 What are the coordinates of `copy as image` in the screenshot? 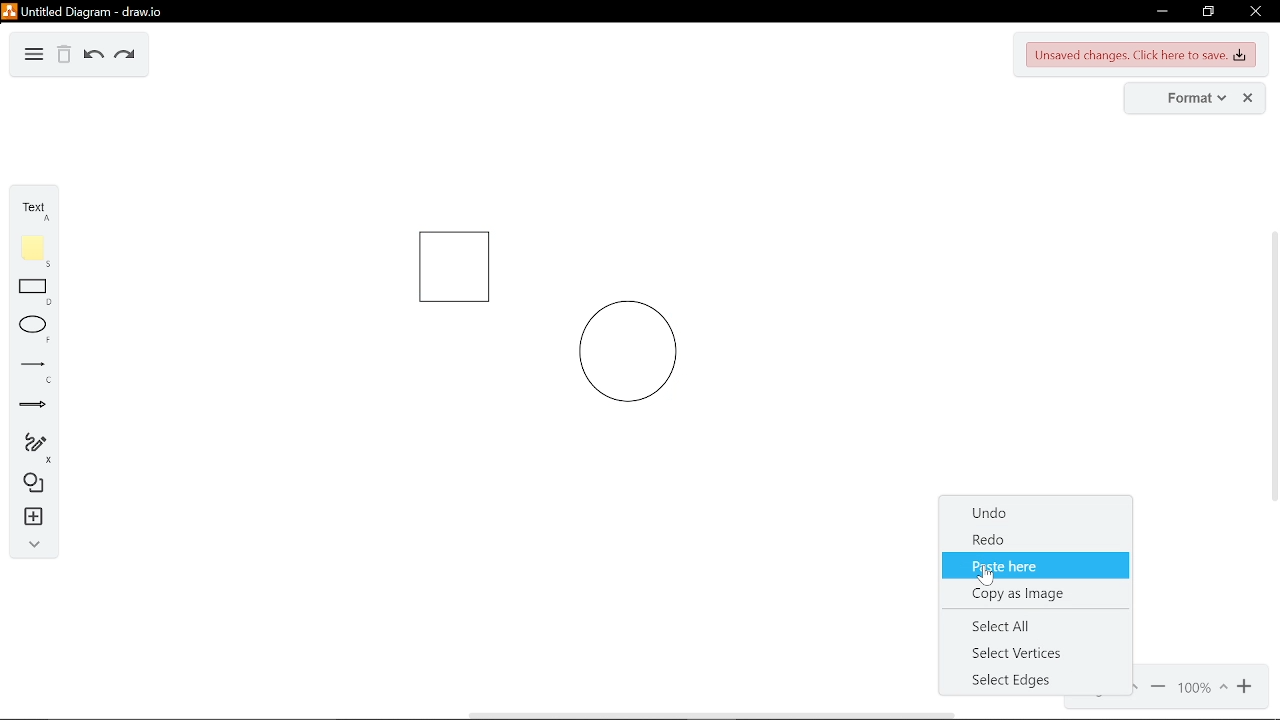 It's located at (1036, 591).